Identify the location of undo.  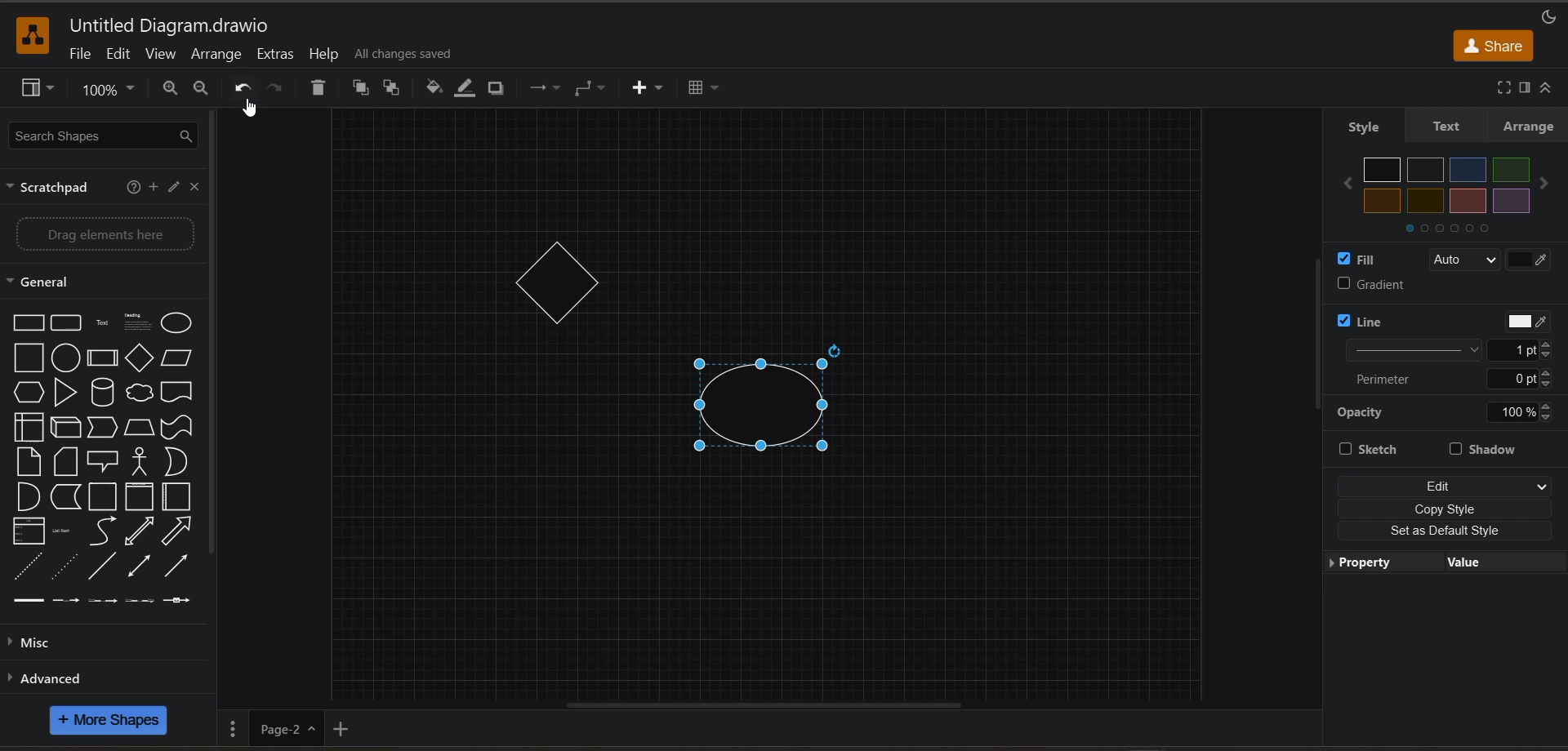
(244, 88).